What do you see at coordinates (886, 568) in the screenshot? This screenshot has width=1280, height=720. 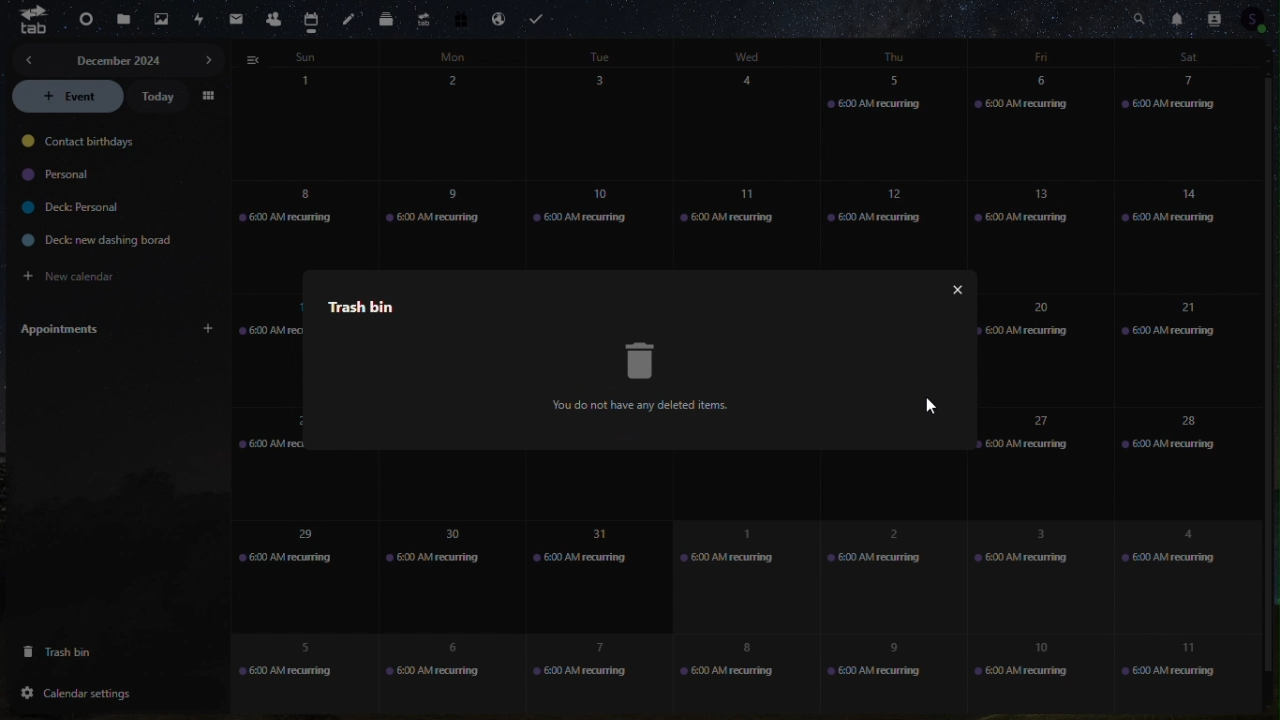 I see `2` at bounding box center [886, 568].